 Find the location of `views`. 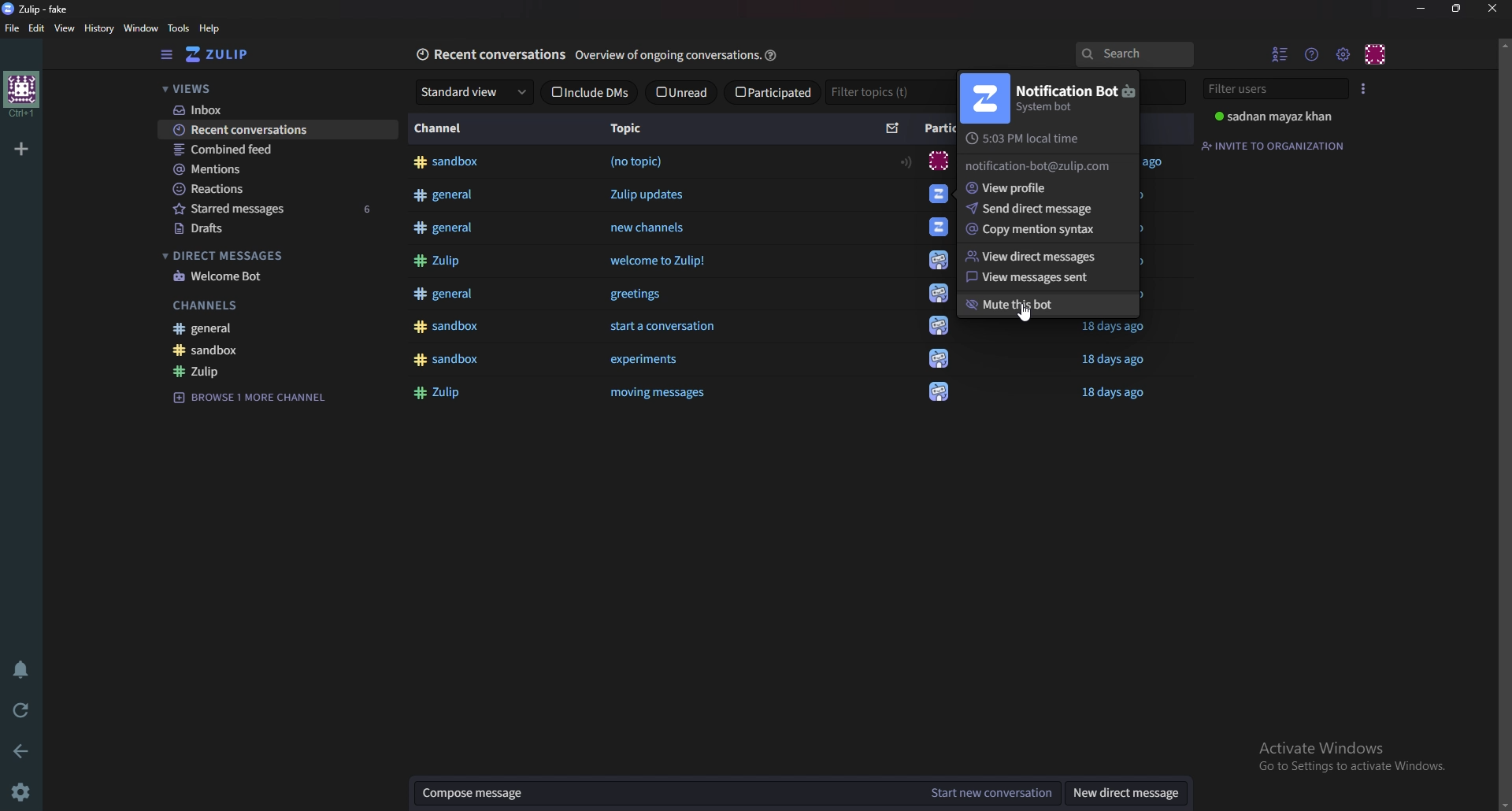

views is located at coordinates (270, 88).